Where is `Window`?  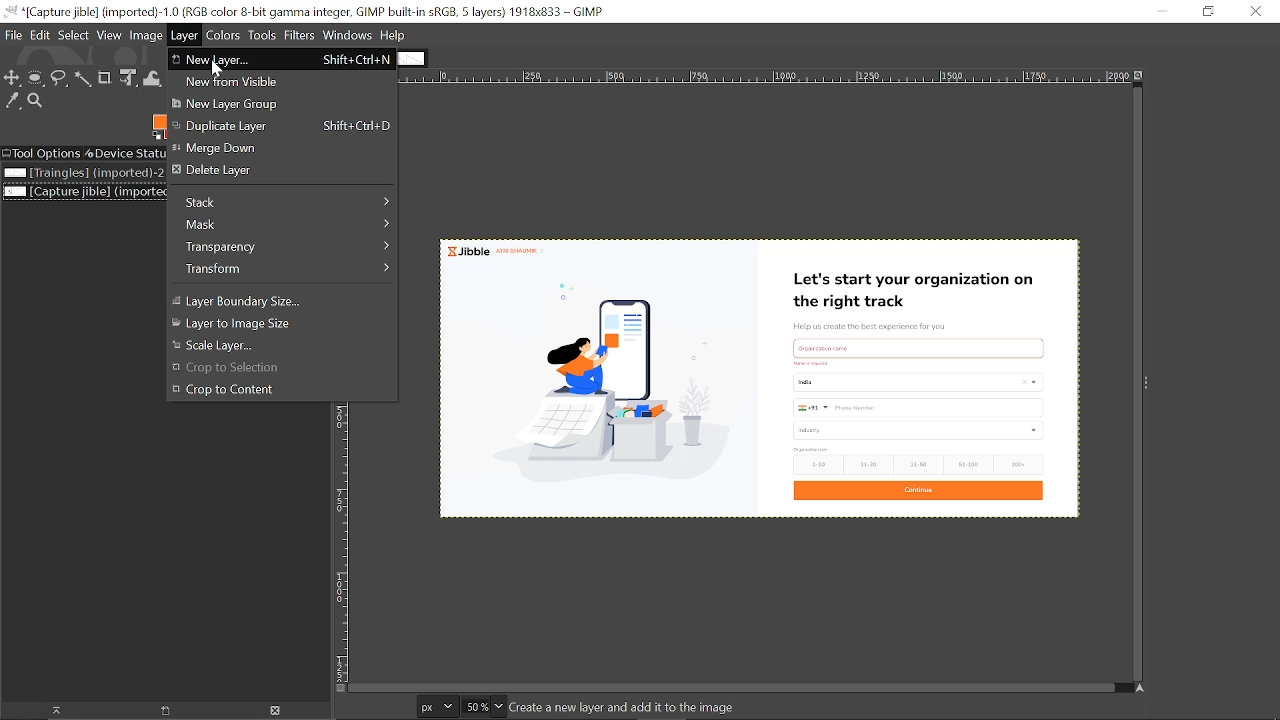
Window is located at coordinates (349, 35).